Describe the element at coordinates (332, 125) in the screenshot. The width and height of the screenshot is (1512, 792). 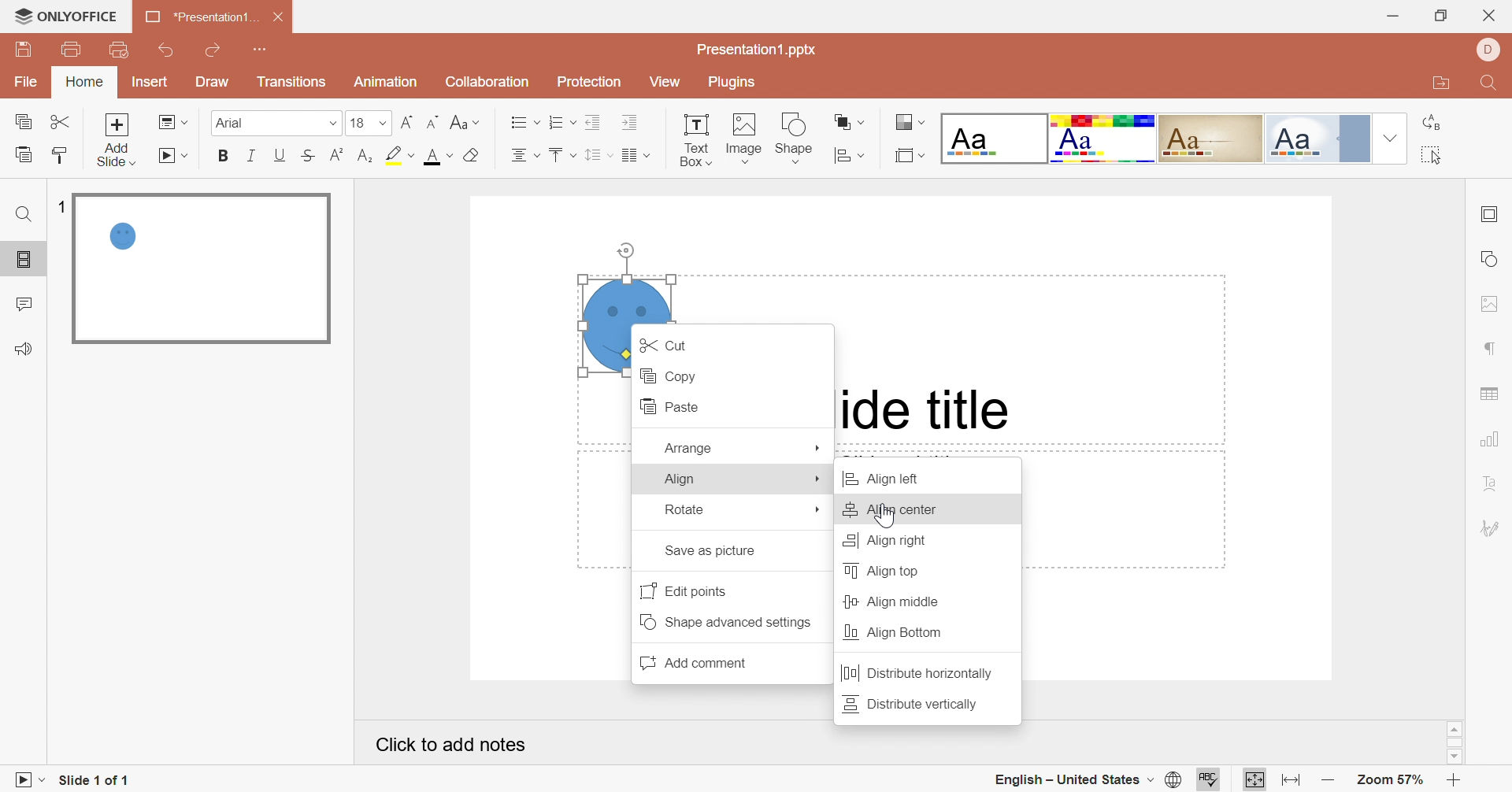
I see `Drop Down` at that location.